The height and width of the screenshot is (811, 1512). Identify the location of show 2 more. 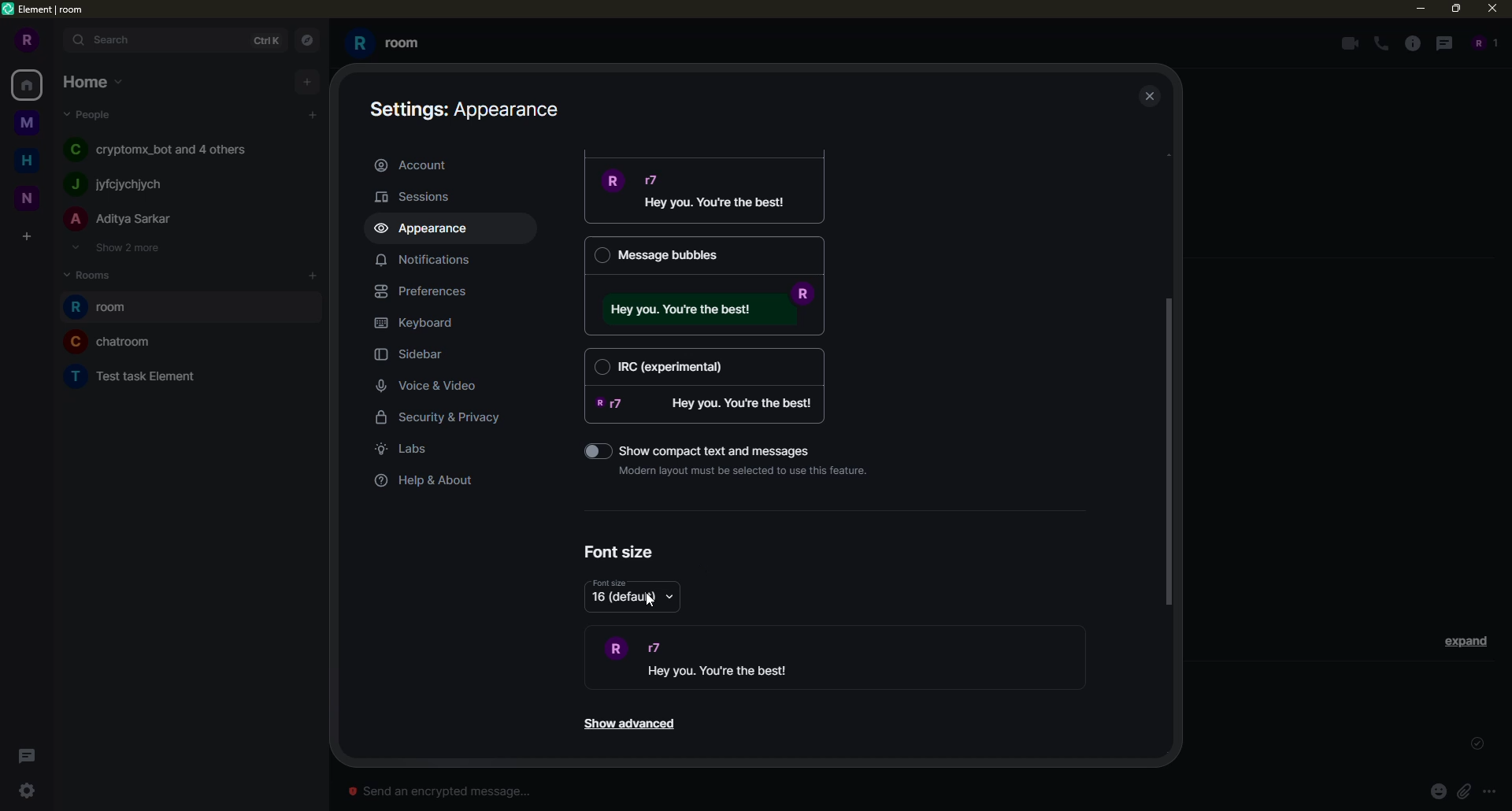
(115, 247).